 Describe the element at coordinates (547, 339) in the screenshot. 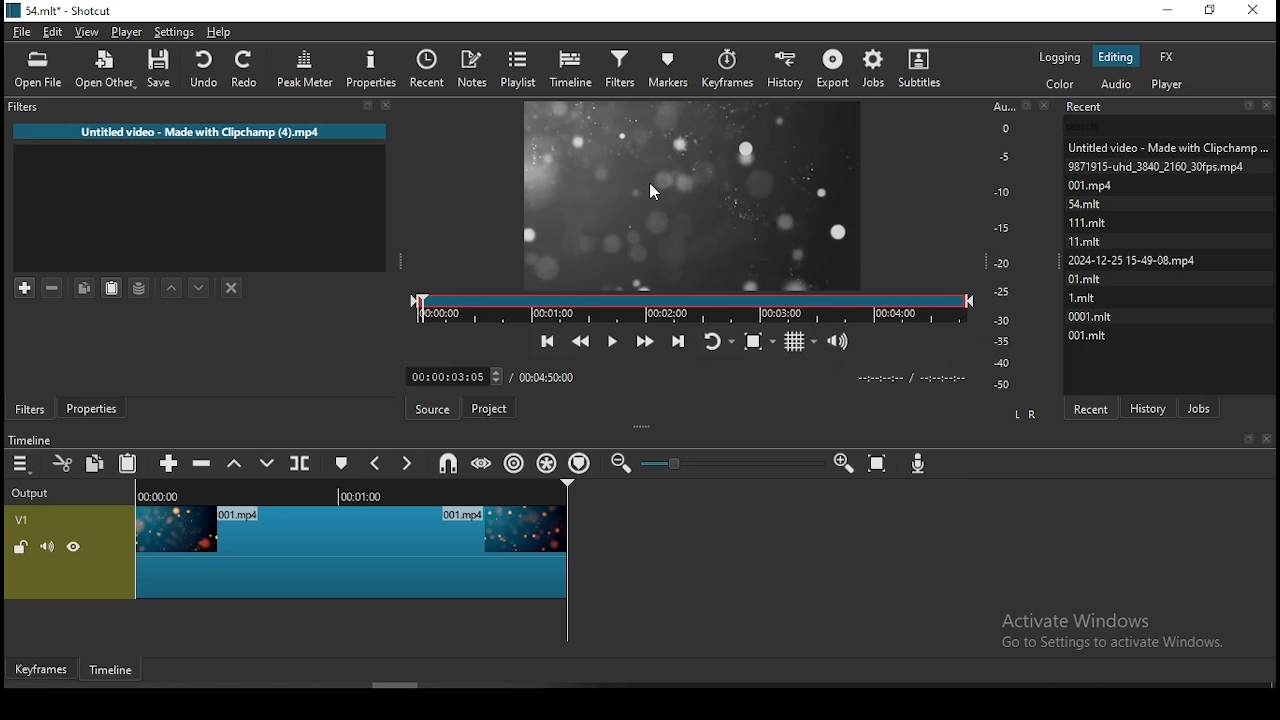

I see `skip to the previous point` at that location.